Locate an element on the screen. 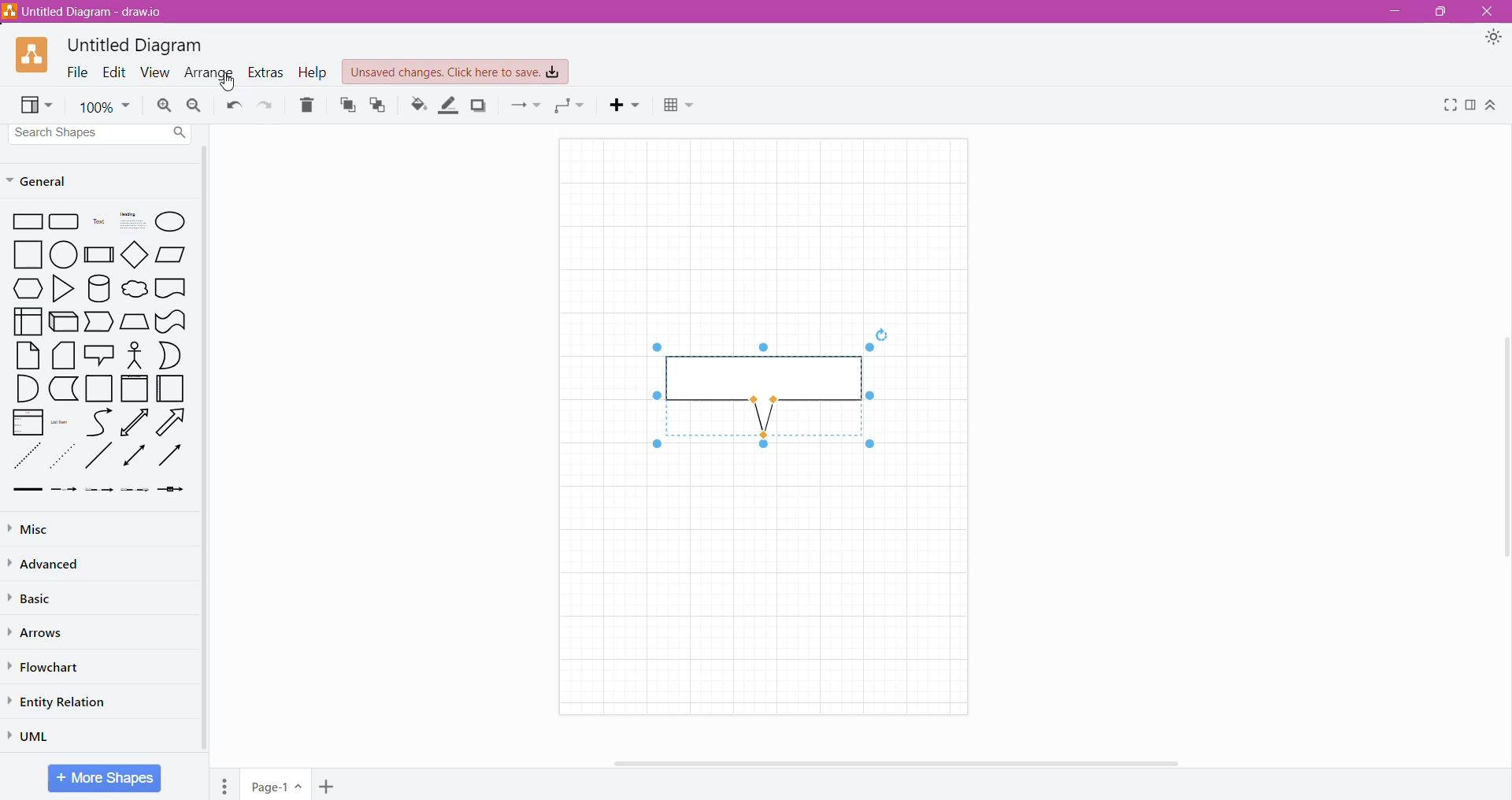  To Front is located at coordinates (346, 105).